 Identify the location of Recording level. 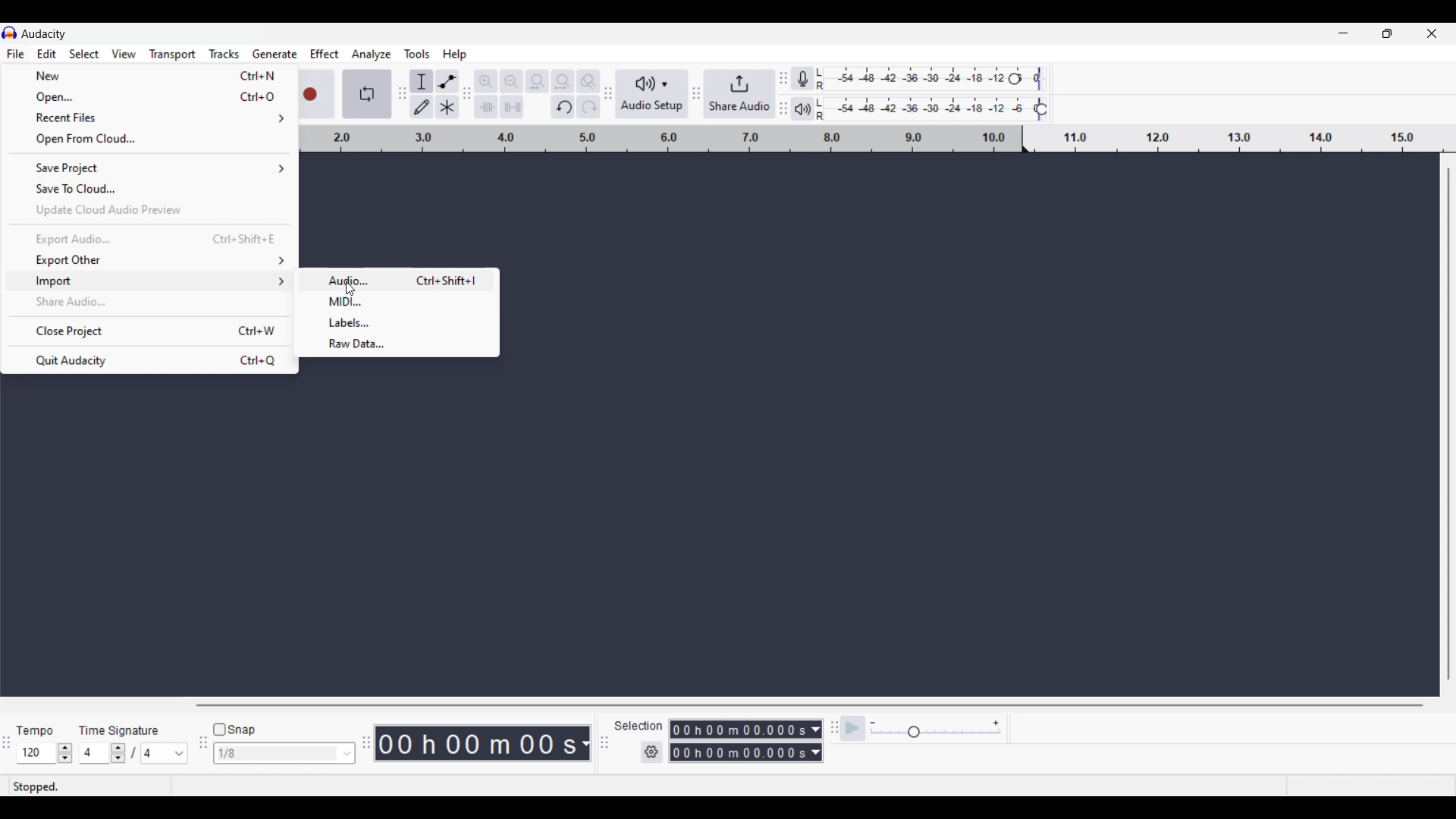
(940, 80).